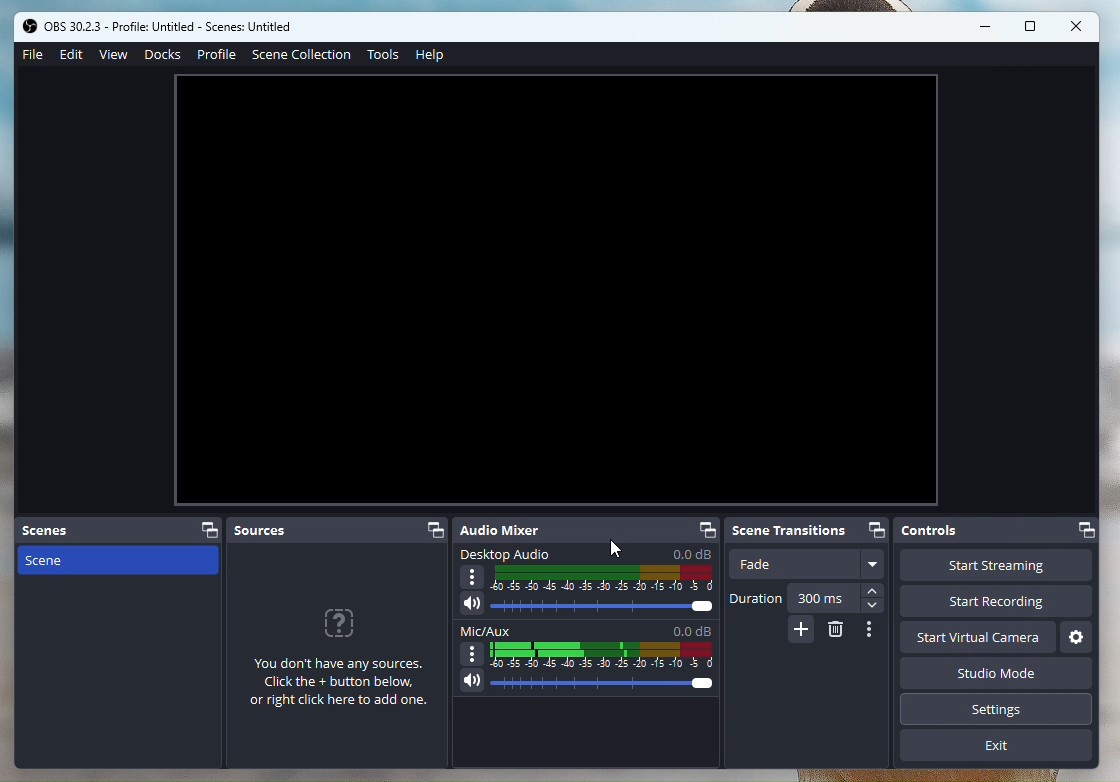 The height and width of the screenshot is (782, 1120). What do you see at coordinates (995, 675) in the screenshot?
I see `` at bounding box center [995, 675].